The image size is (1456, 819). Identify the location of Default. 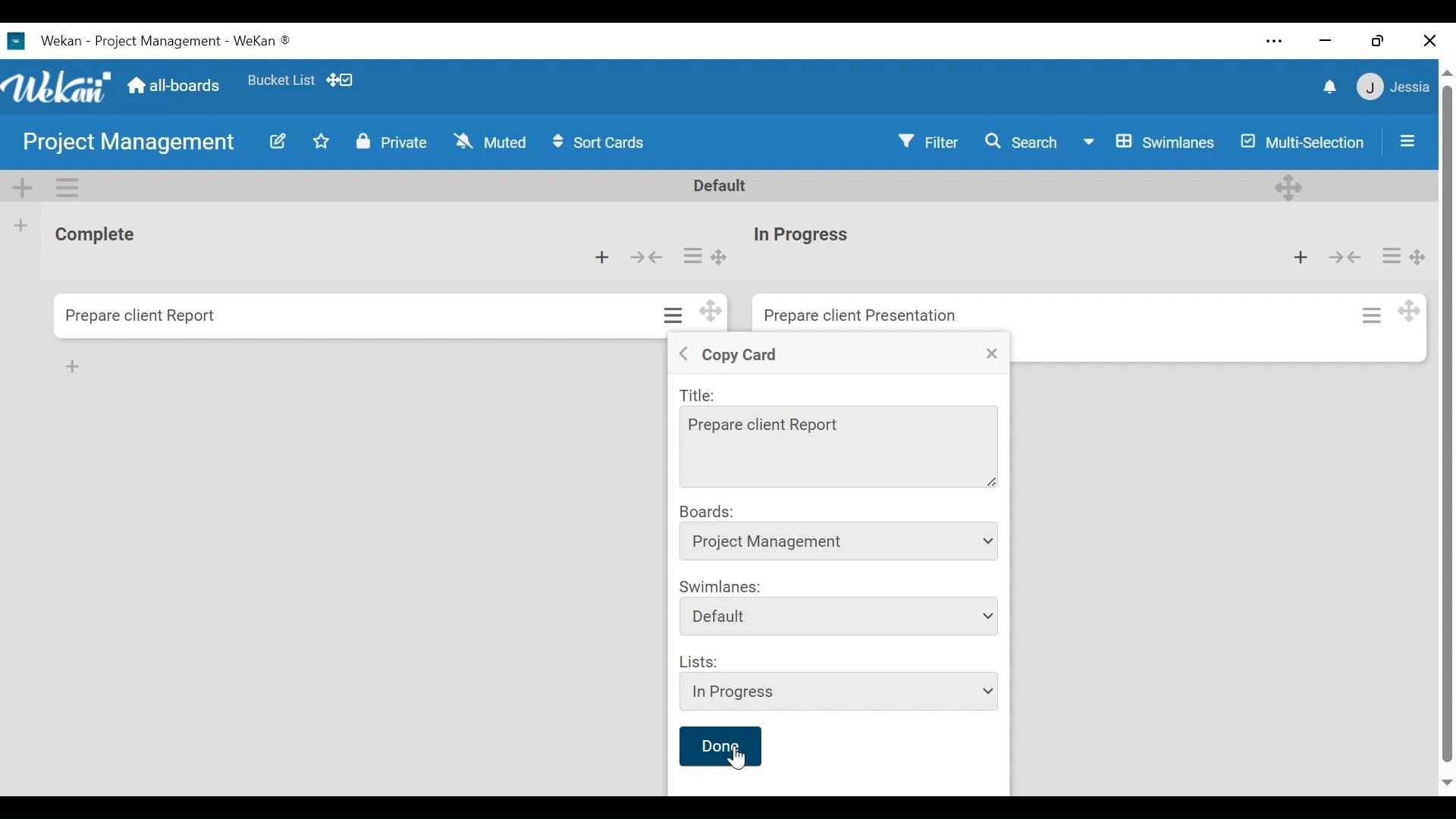
(731, 185).